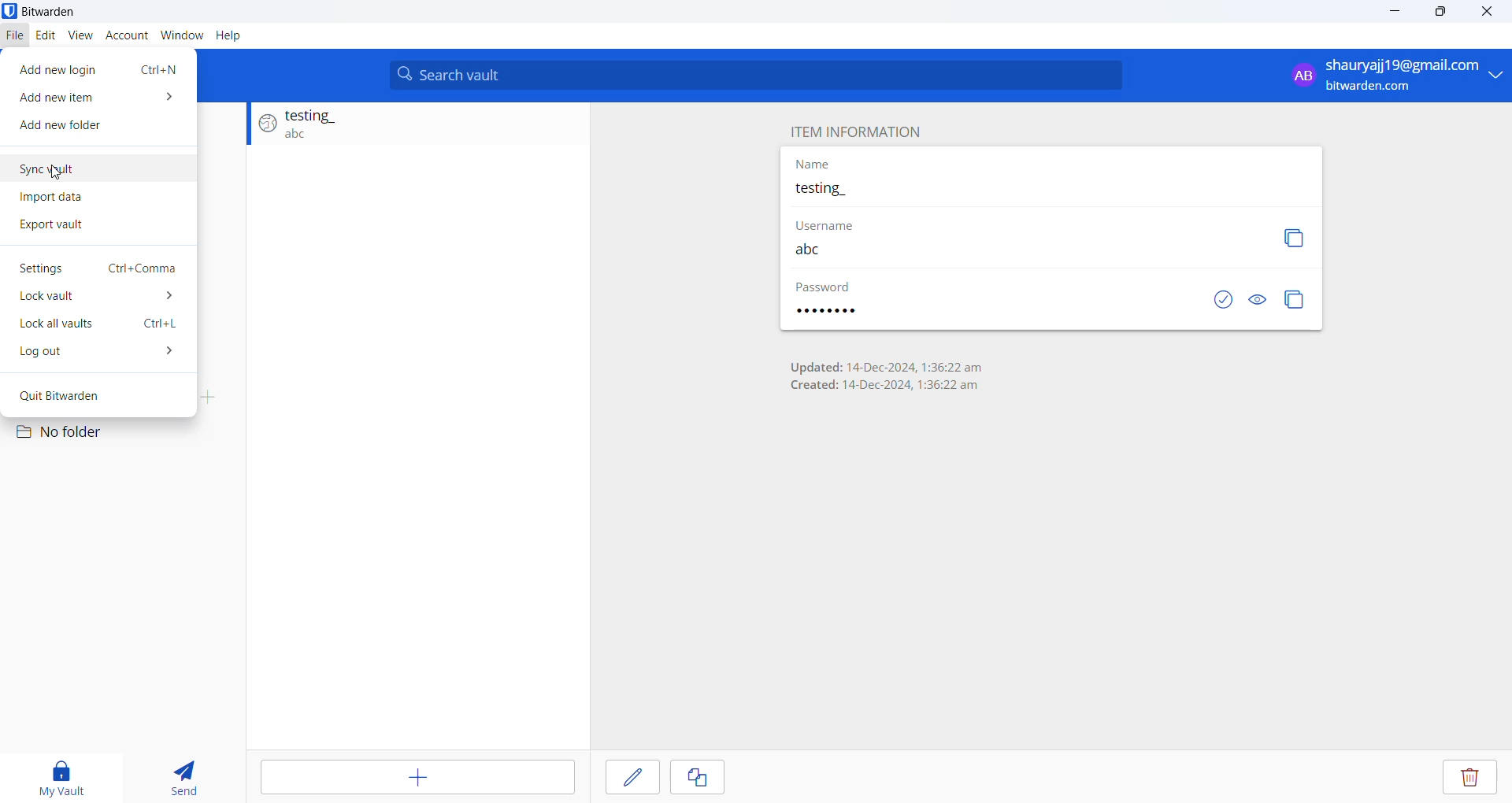  What do you see at coordinates (15, 37) in the screenshot?
I see `File` at bounding box center [15, 37].